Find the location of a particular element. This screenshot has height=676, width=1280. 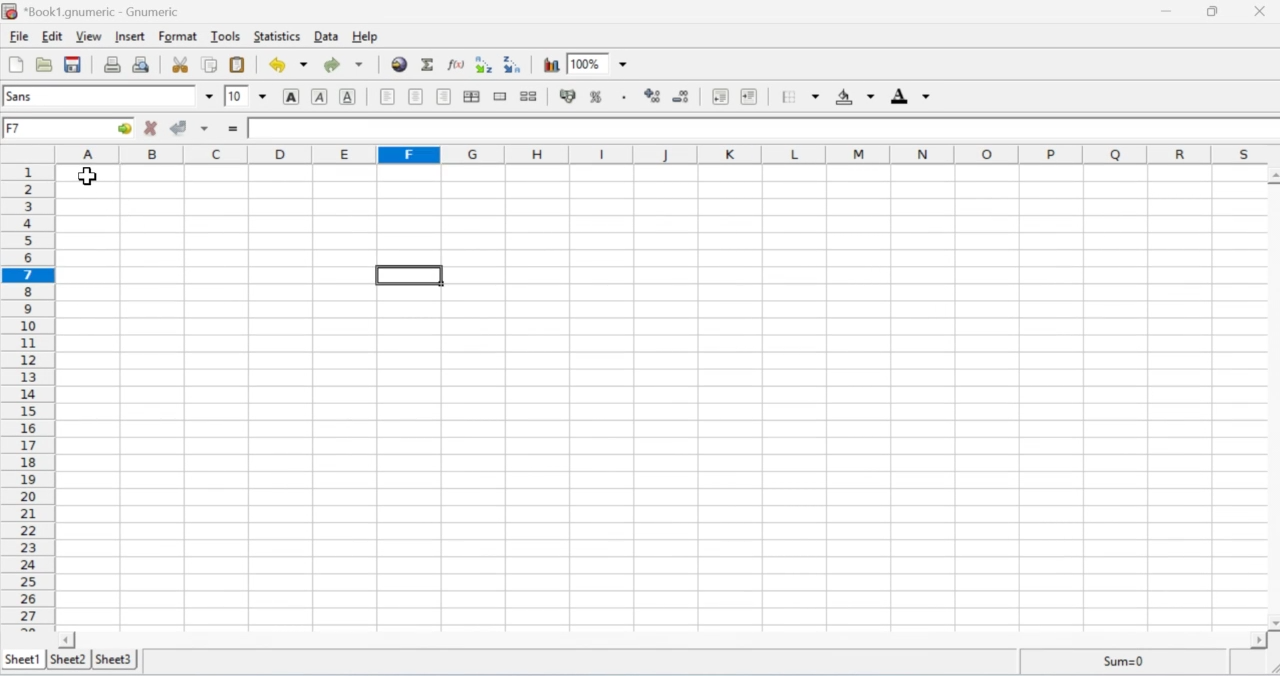

Scroll bar is located at coordinates (669, 639).